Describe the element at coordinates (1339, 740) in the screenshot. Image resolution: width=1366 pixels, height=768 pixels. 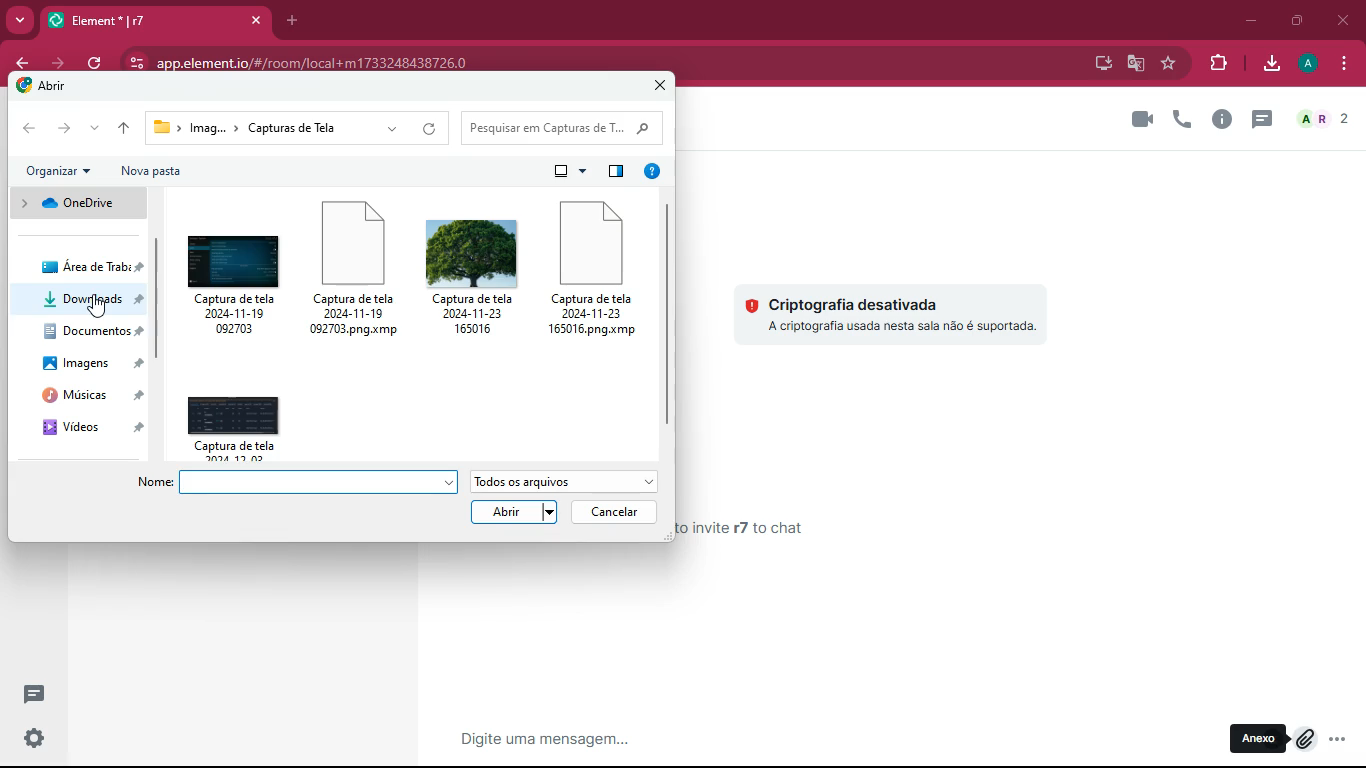
I see `more` at that location.